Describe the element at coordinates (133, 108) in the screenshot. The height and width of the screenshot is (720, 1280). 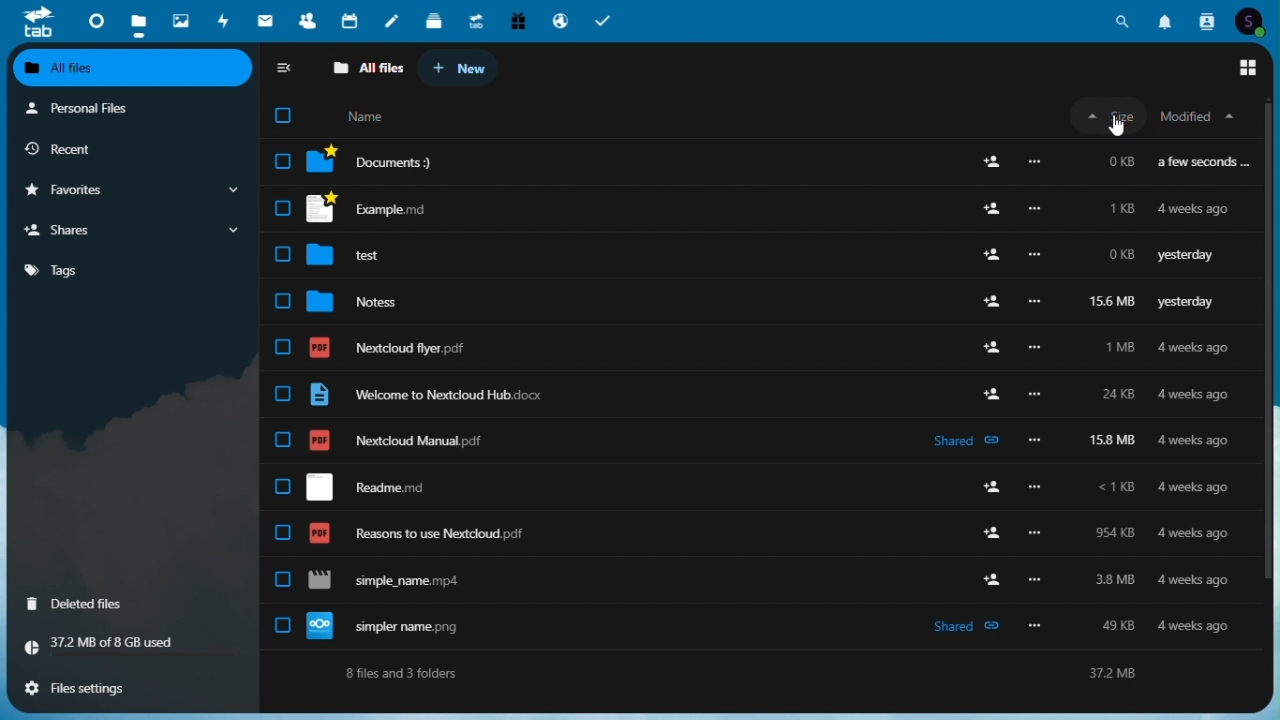
I see `personal files` at that location.